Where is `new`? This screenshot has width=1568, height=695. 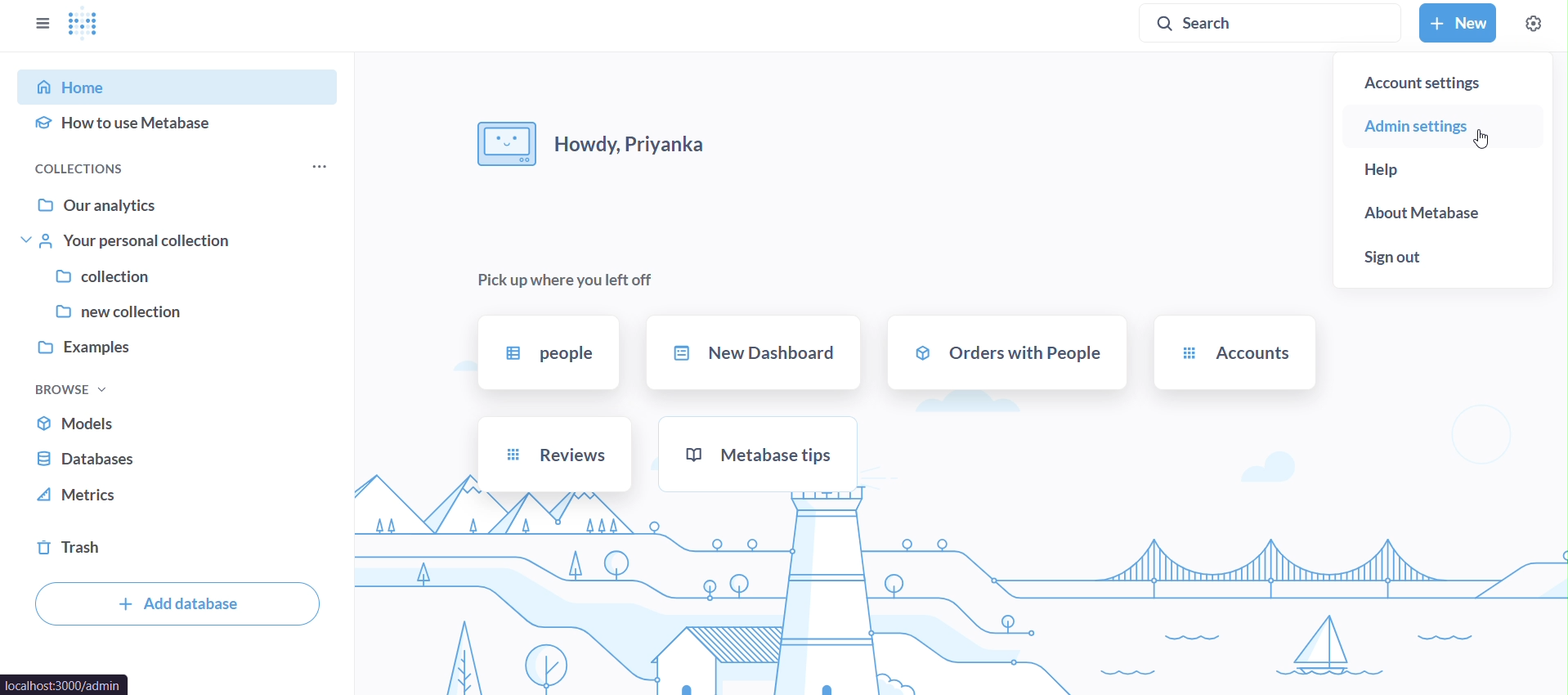 new is located at coordinates (1457, 24).